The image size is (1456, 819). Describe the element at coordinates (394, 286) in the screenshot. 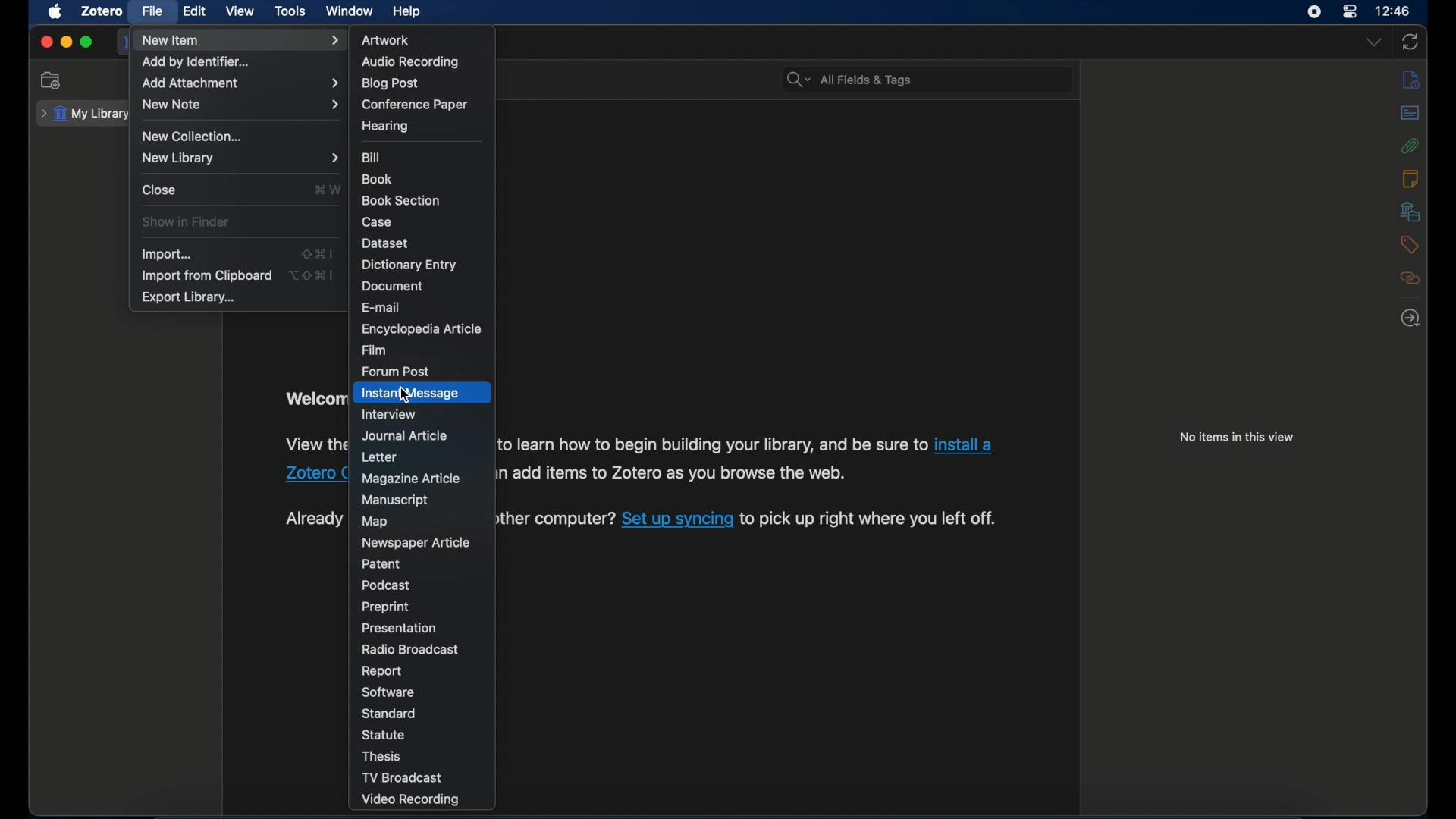

I see `document` at that location.